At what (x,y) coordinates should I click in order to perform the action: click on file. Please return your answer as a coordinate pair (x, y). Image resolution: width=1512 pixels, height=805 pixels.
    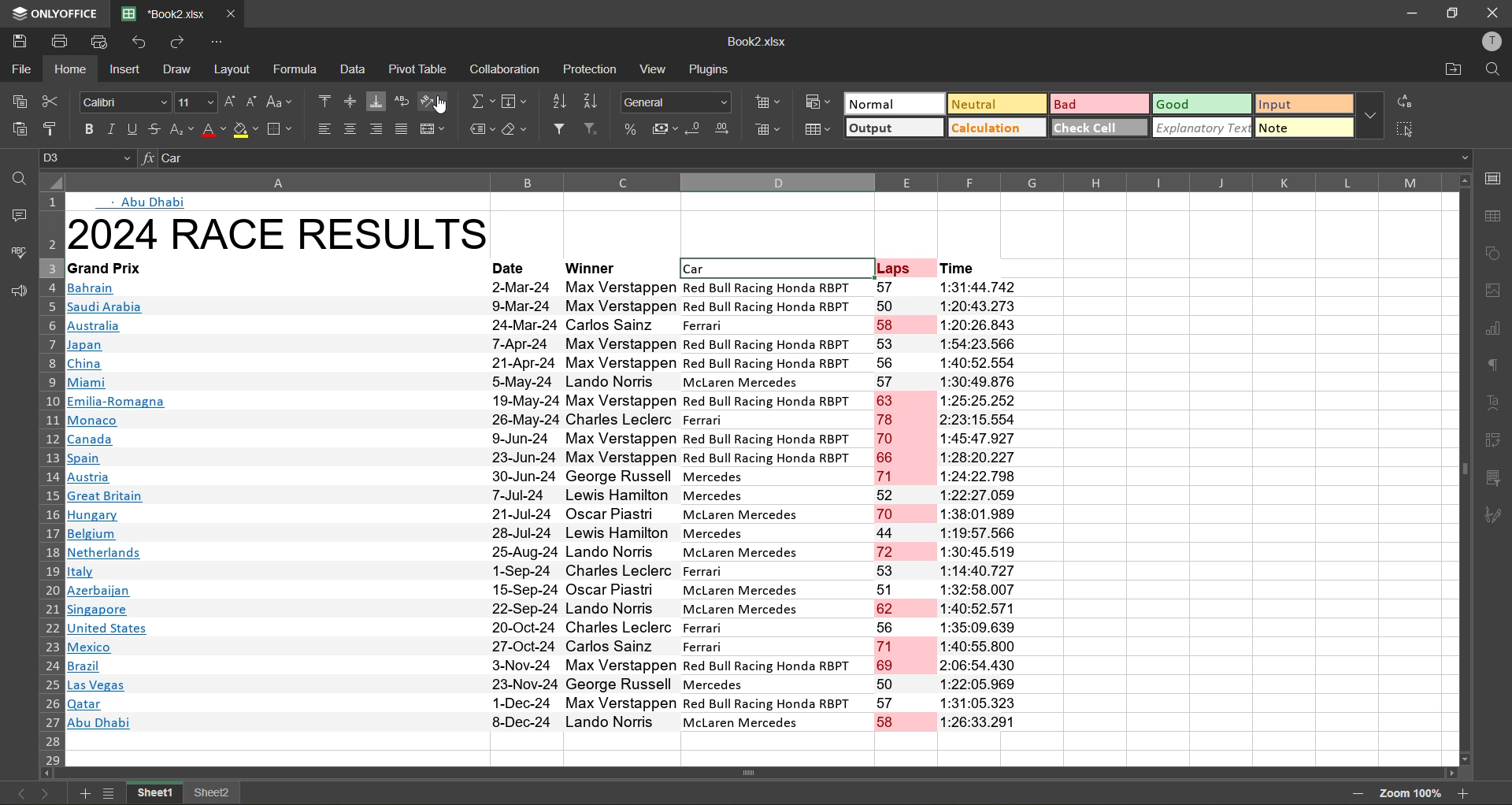
    Looking at the image, I should click on (19, 72).